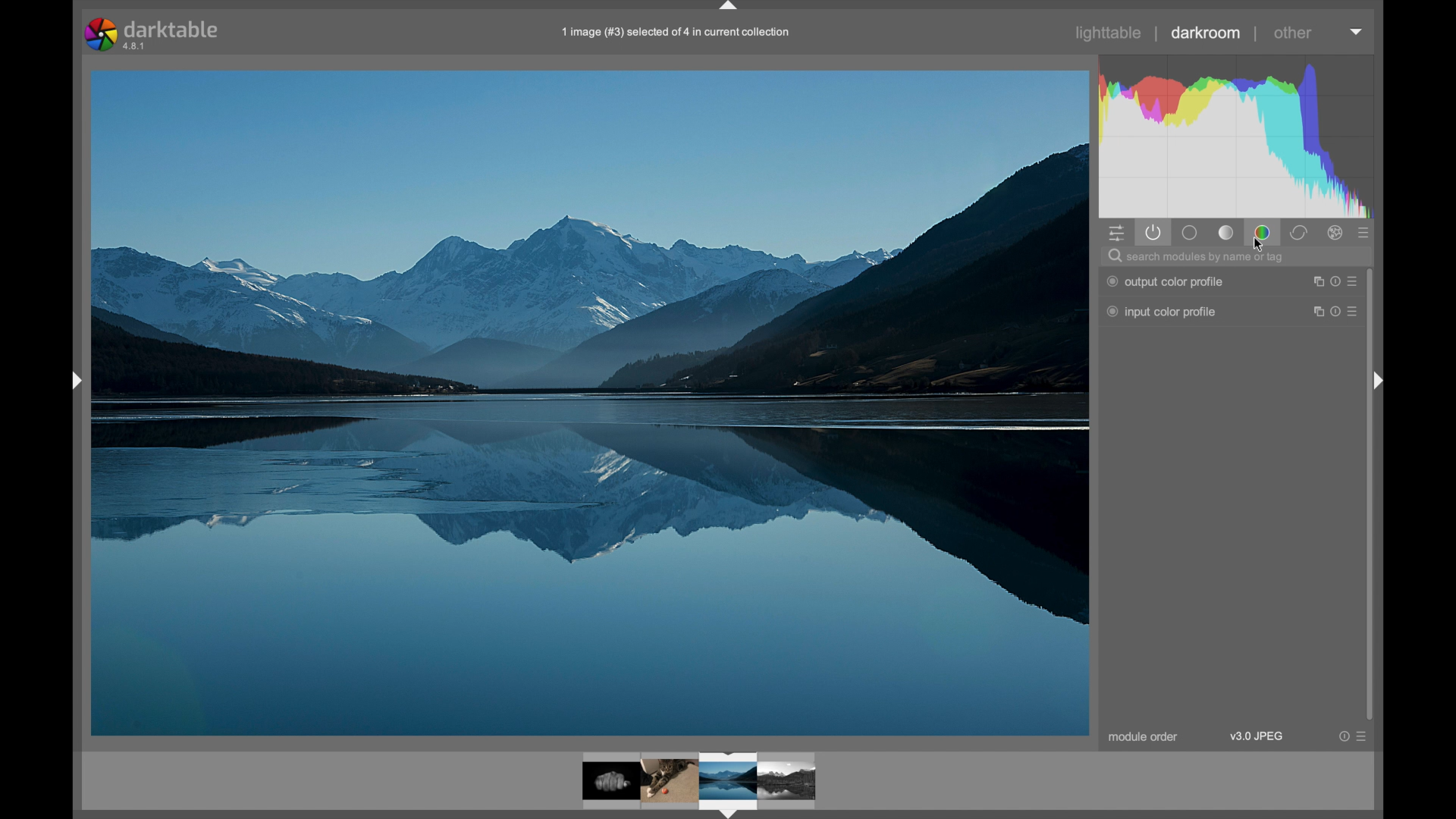 The width and height of the screenshot is (1456, 819). What do you see at coordinates (601, 779) in the screenshot?
I see `photo preview` at bounding box center [601, 779].